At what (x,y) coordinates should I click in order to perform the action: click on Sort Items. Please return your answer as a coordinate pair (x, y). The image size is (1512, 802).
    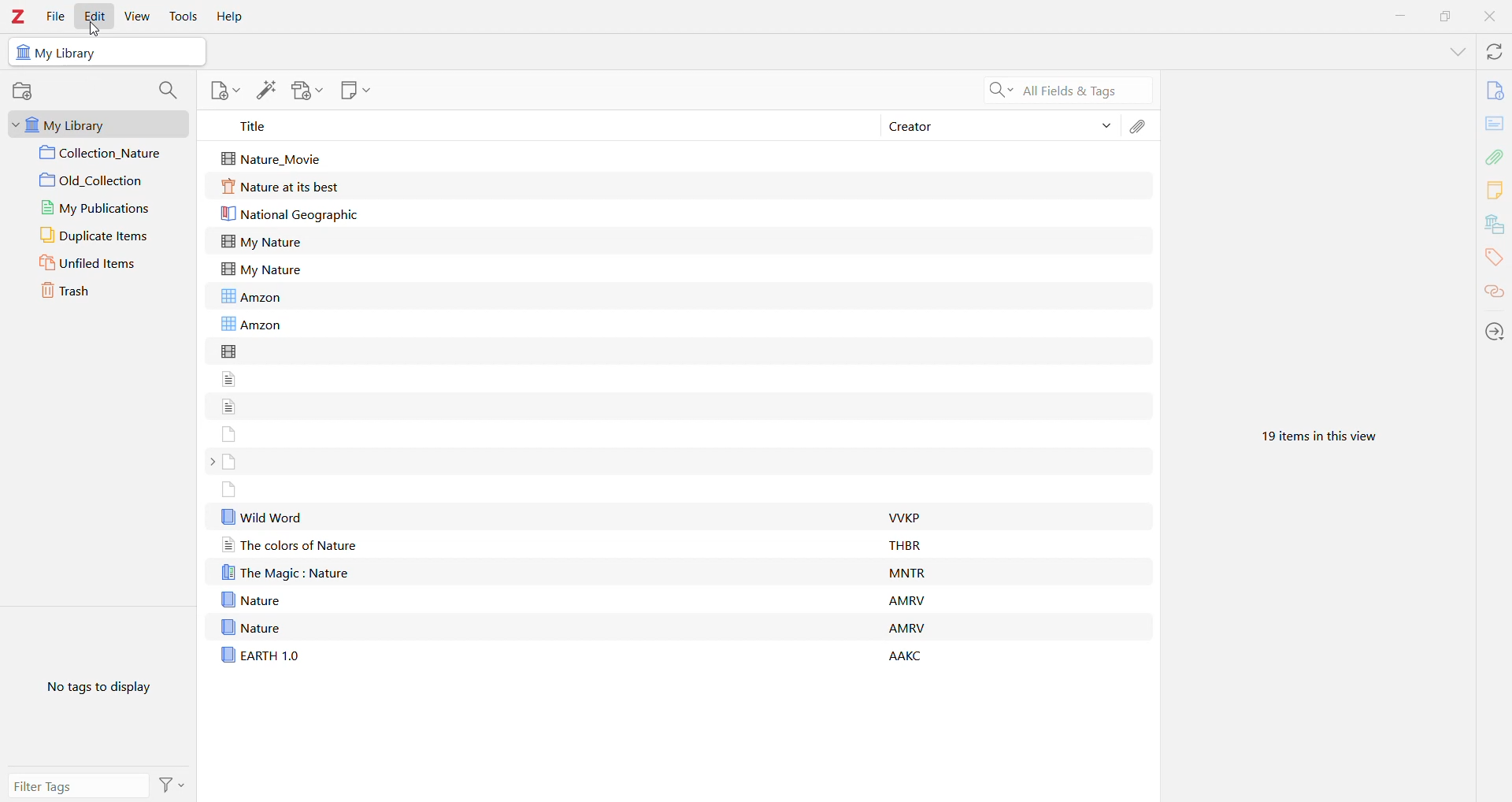
    Looking at the image, I should click on (1106, 126).